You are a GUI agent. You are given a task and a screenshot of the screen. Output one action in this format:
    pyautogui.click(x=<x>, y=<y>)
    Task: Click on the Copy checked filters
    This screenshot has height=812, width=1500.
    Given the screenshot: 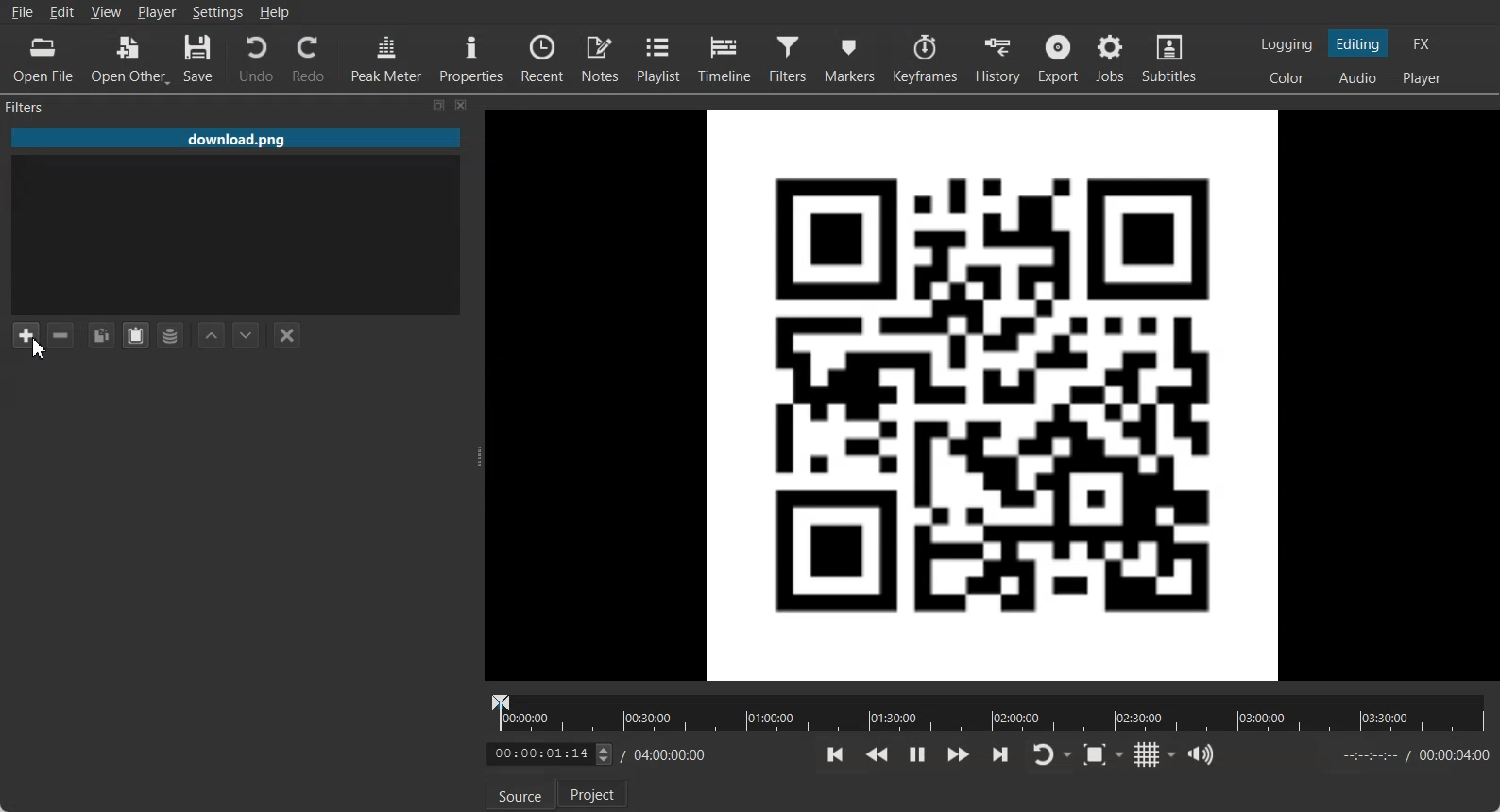 What is the action you would take?
    pyautogui.click(x=101, y=335)
    